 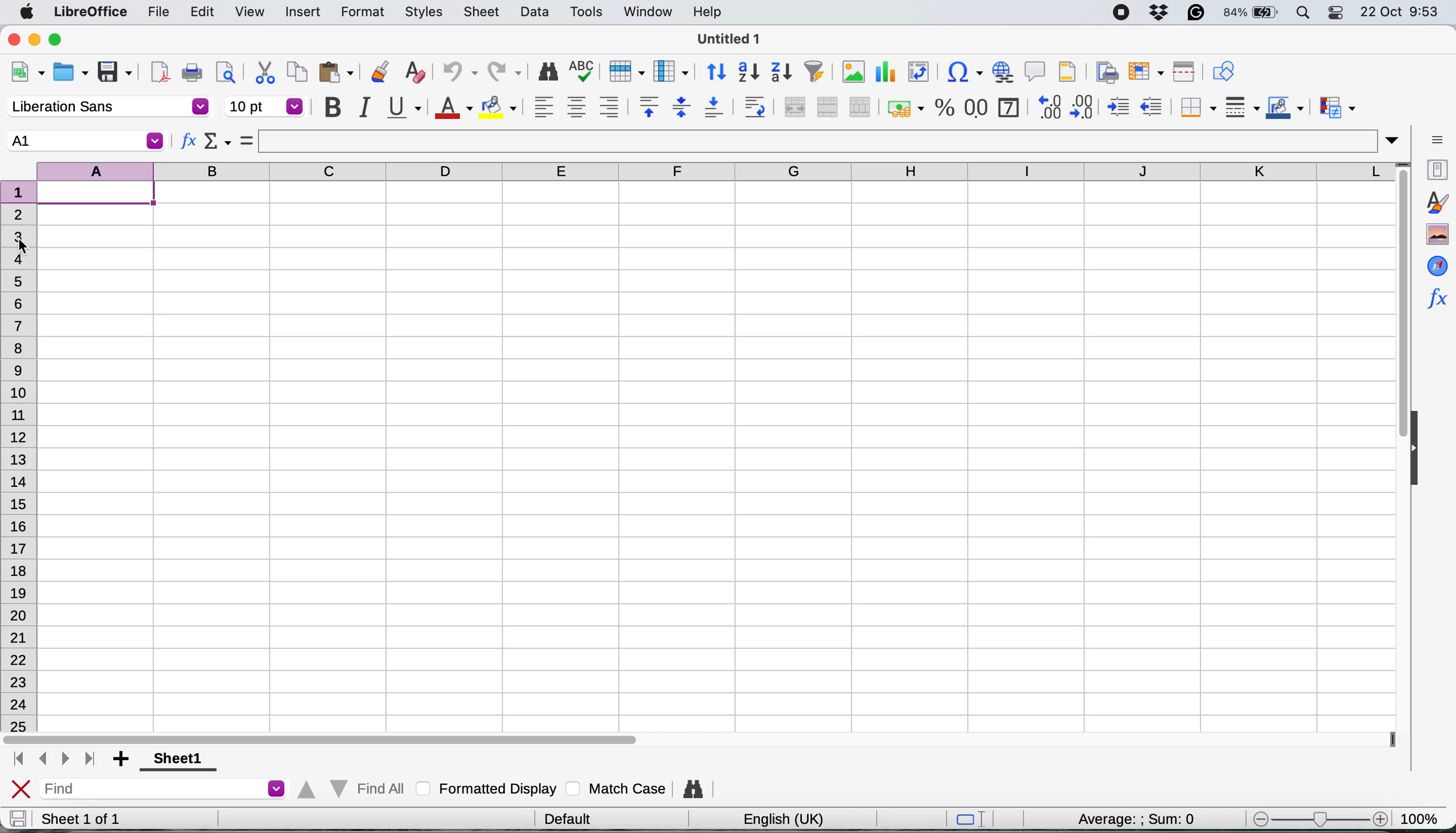 I want to click on row, so click(x=624, y=70).